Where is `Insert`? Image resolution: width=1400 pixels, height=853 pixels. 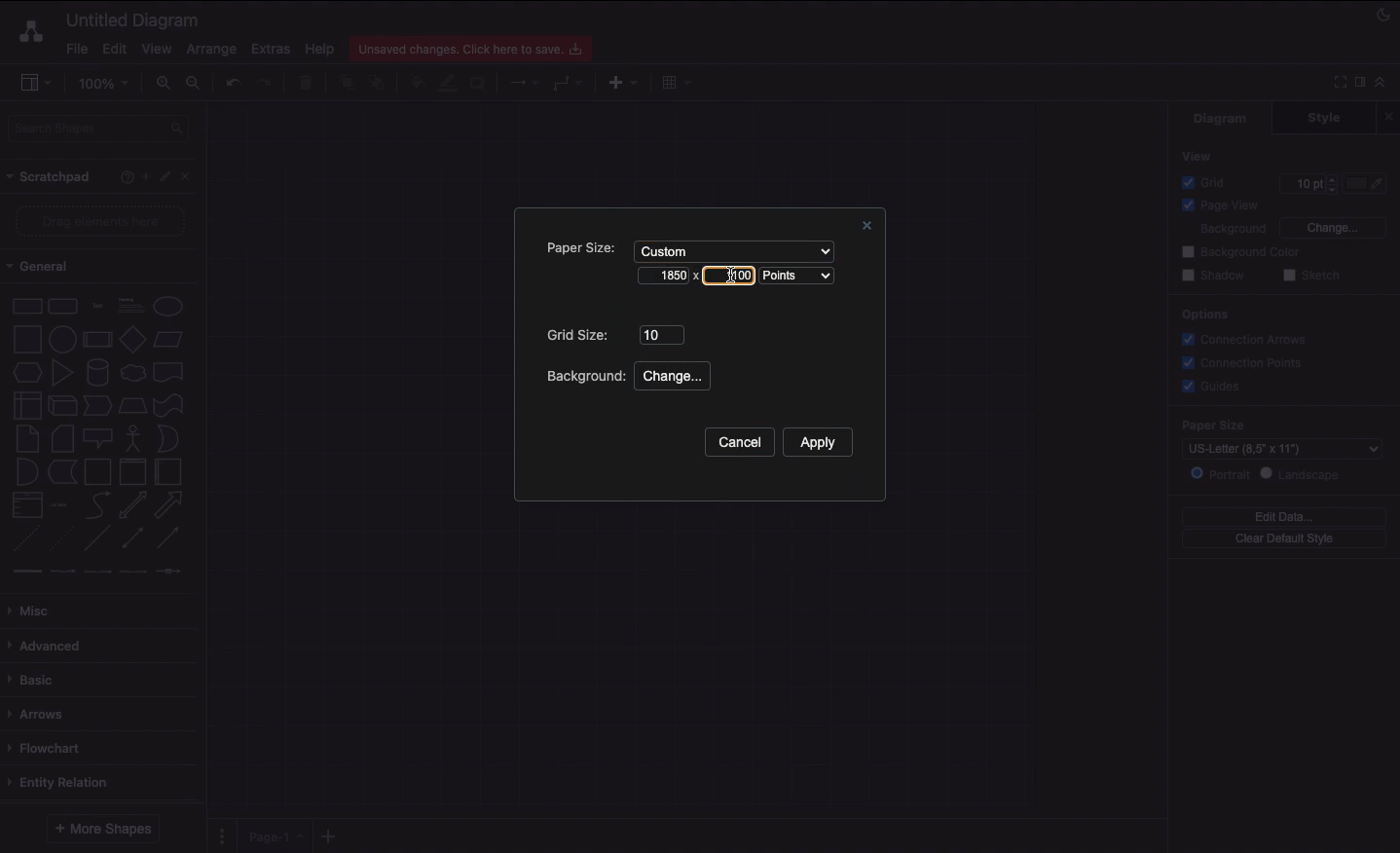
Insert is located at coordinates (618, 81).